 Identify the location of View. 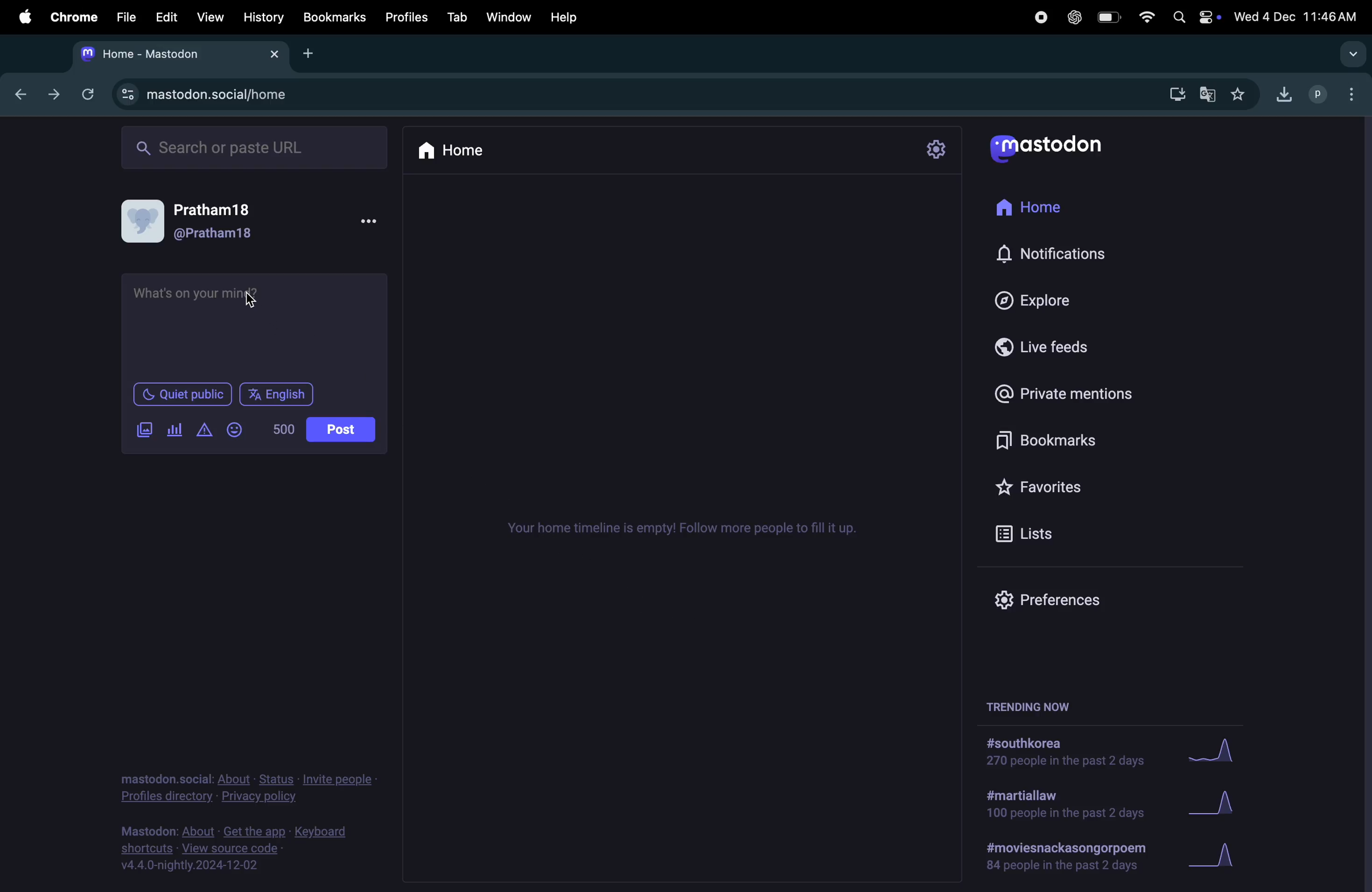
(210, 17).